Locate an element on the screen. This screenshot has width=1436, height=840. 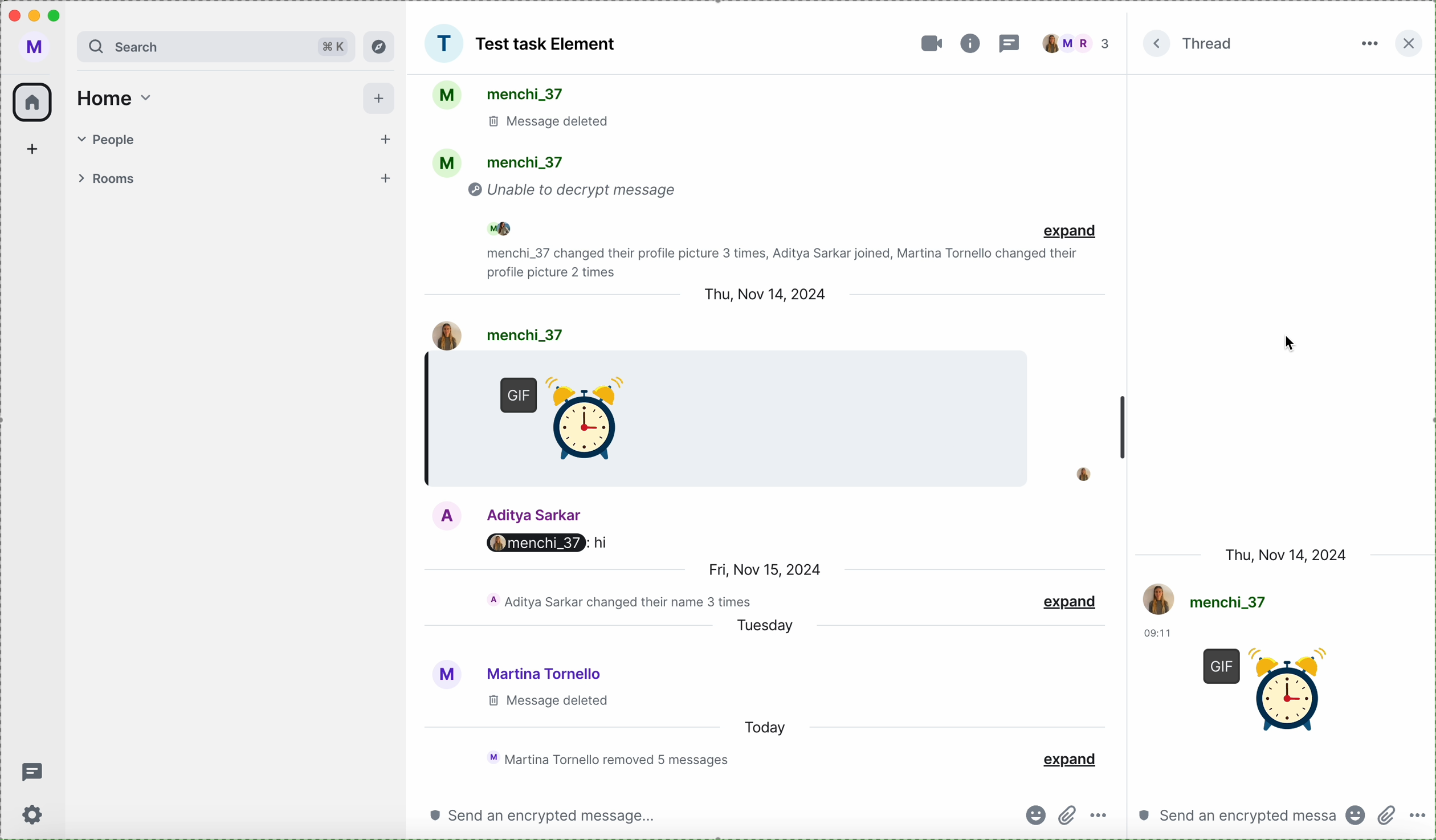
user is located at coordinates (498, 335).